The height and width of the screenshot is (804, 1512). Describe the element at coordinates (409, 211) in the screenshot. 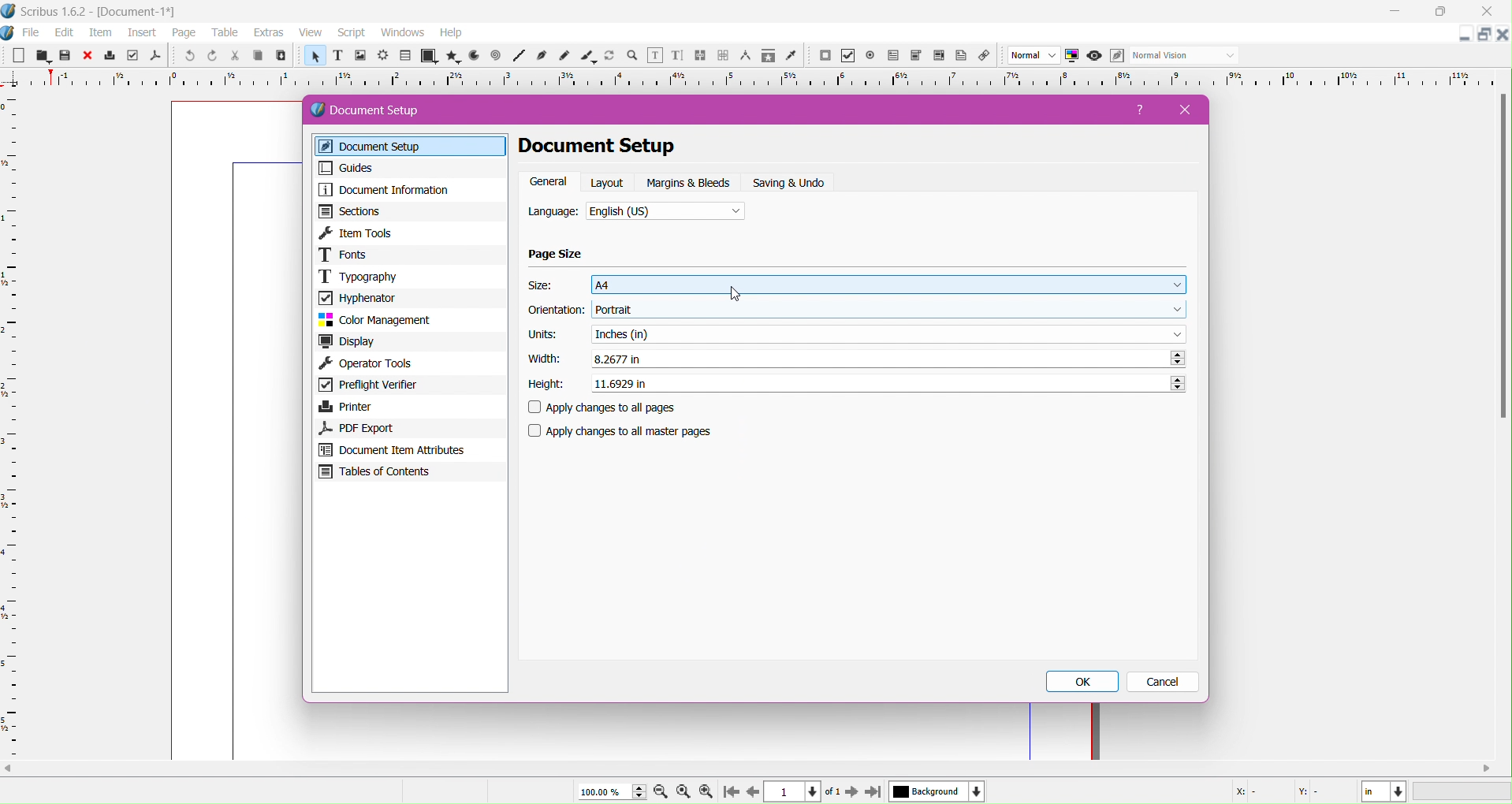

I see `Sections` at that location.